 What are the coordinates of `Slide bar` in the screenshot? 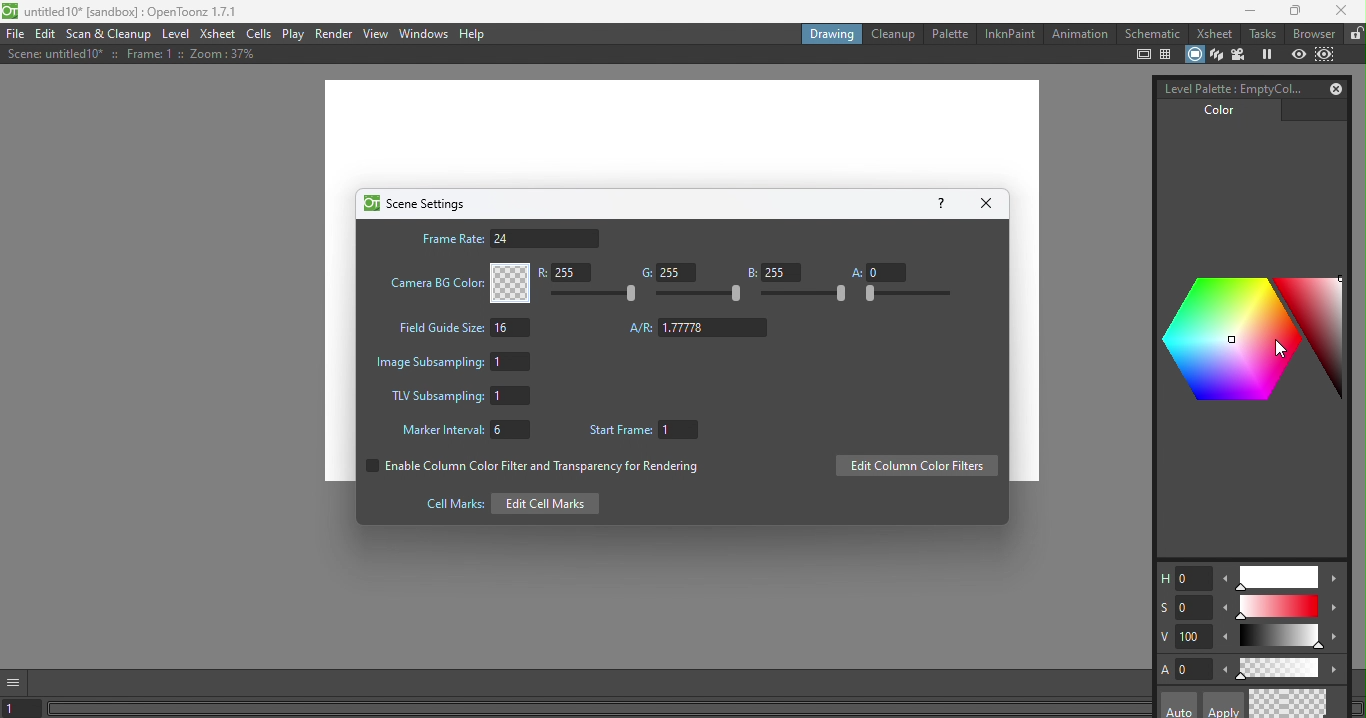 It's located at (1280, 608).